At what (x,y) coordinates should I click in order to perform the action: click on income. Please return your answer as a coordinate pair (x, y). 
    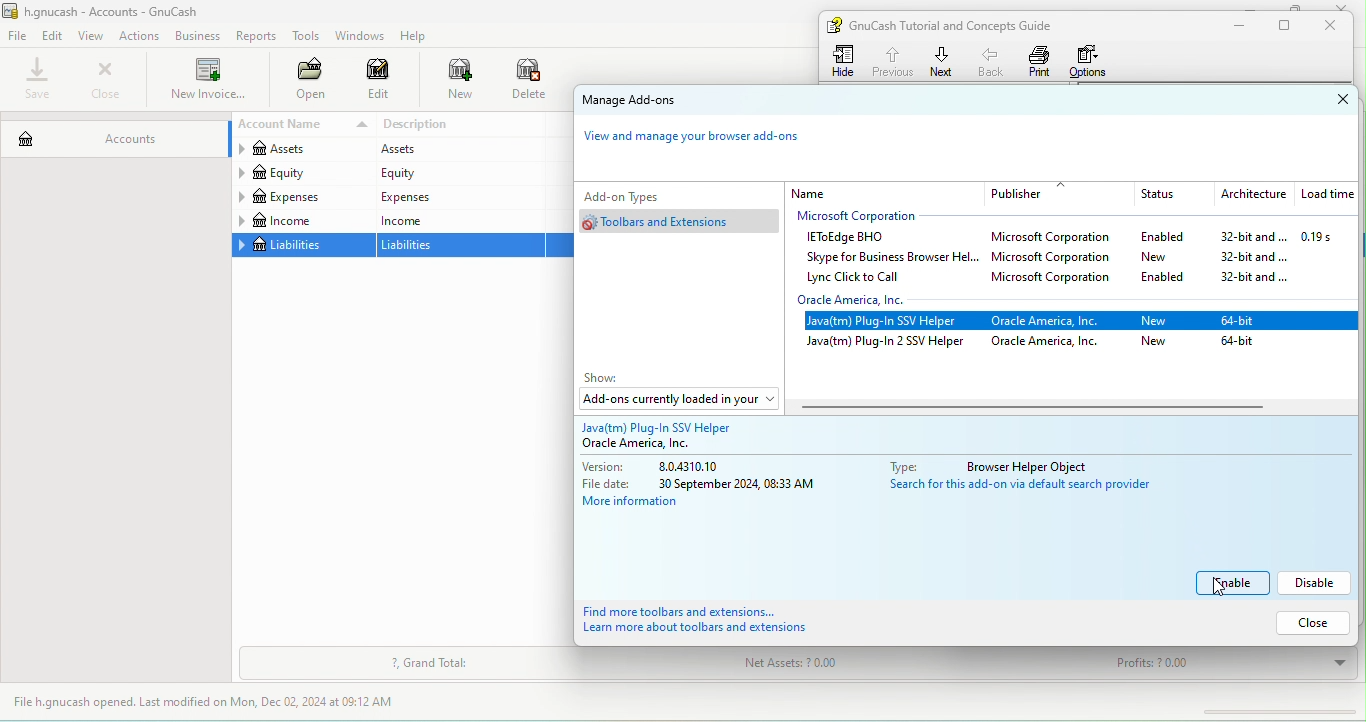
    Looking at the image, I should click on (458, 220).